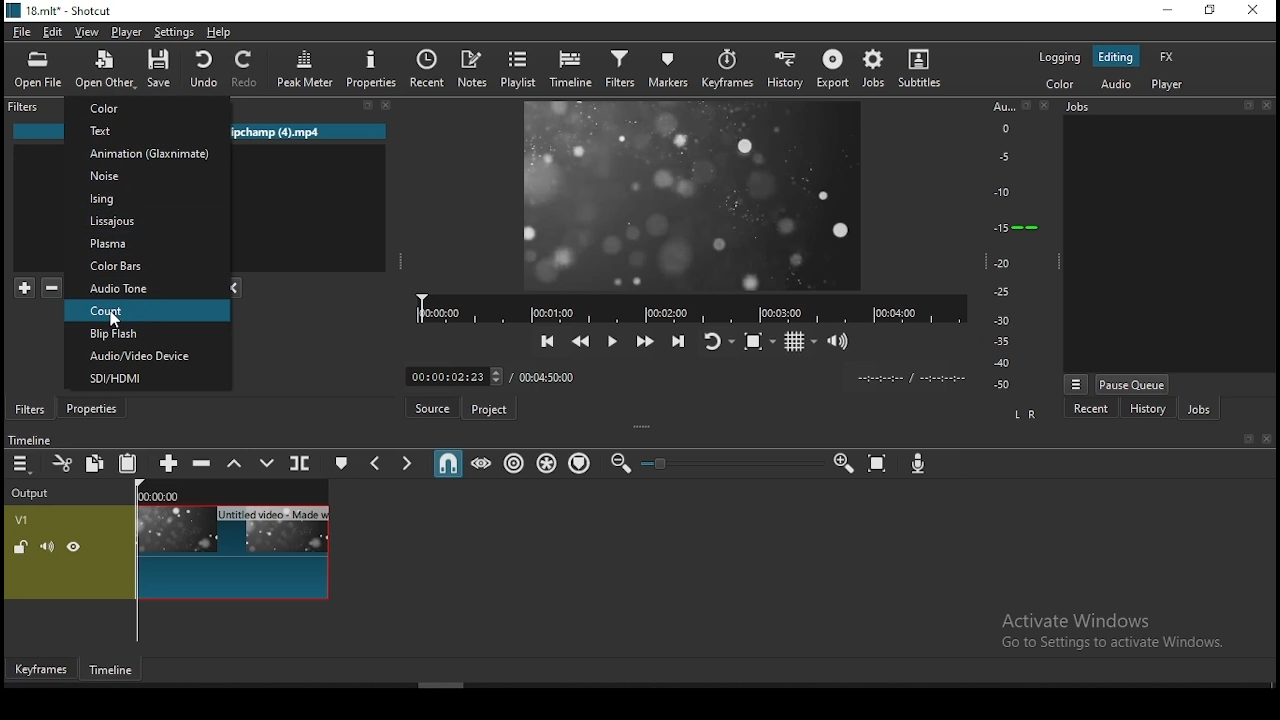 The height and width of the screenshot is (720, 1280). Describe the element at coordinates (1167, 56) in the screenshot. I see `fx` at that location.